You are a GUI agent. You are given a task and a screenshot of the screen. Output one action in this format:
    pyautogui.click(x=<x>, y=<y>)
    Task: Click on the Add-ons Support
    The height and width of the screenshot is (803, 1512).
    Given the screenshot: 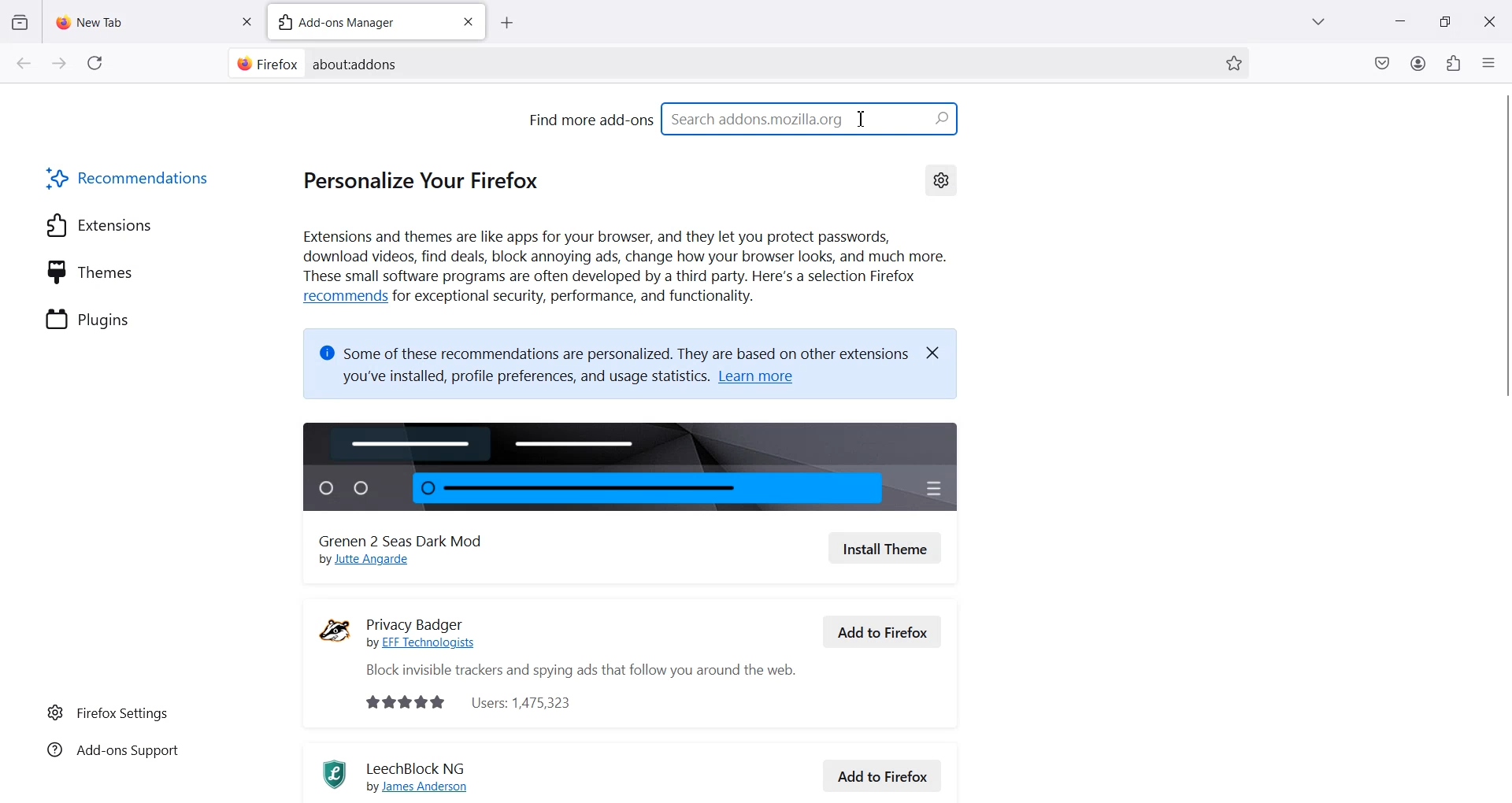 What is the action you would take?
    pyautogui.click(x=110, y=753)
    